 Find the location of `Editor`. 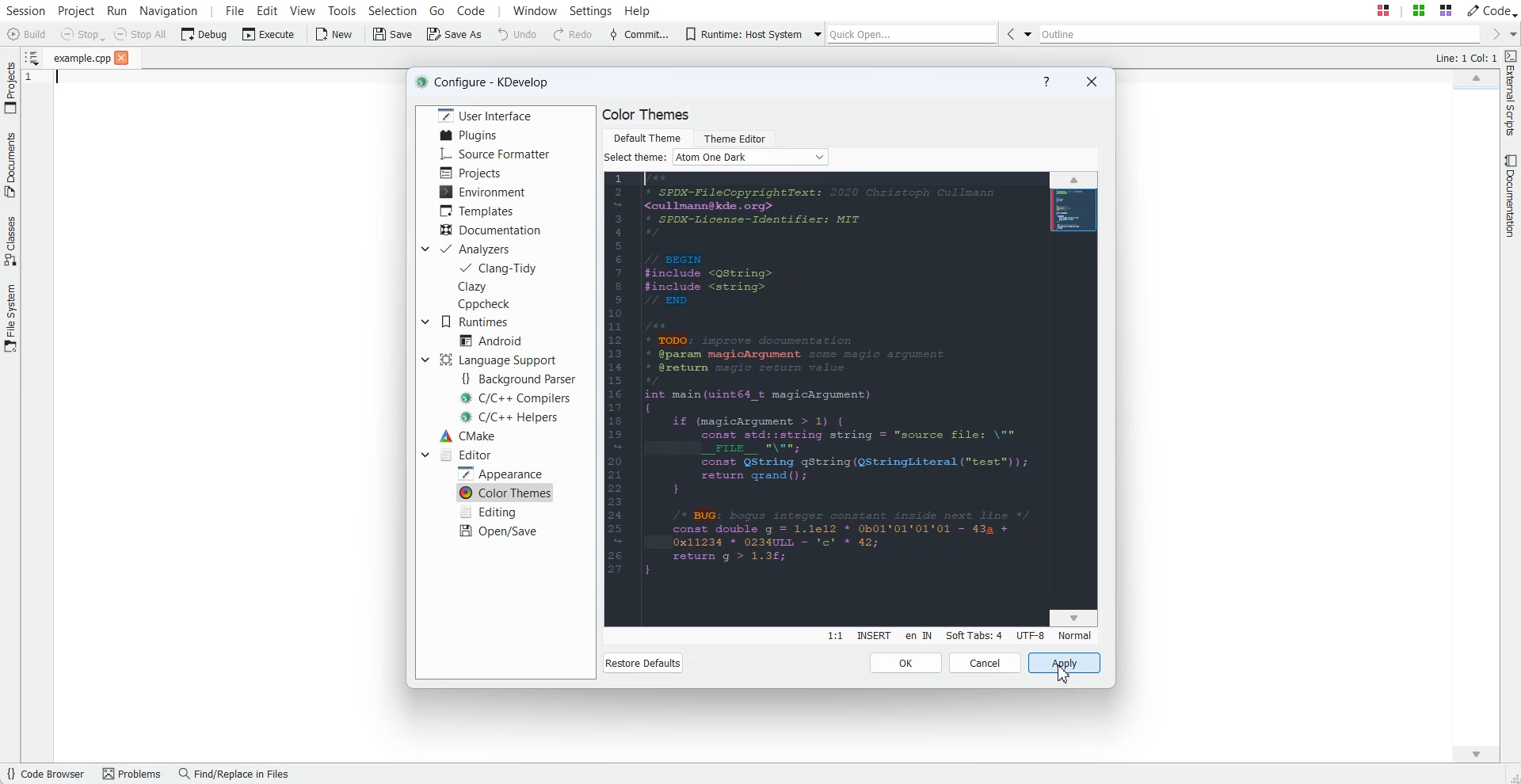

Editor is located at coordinates (467, 455).